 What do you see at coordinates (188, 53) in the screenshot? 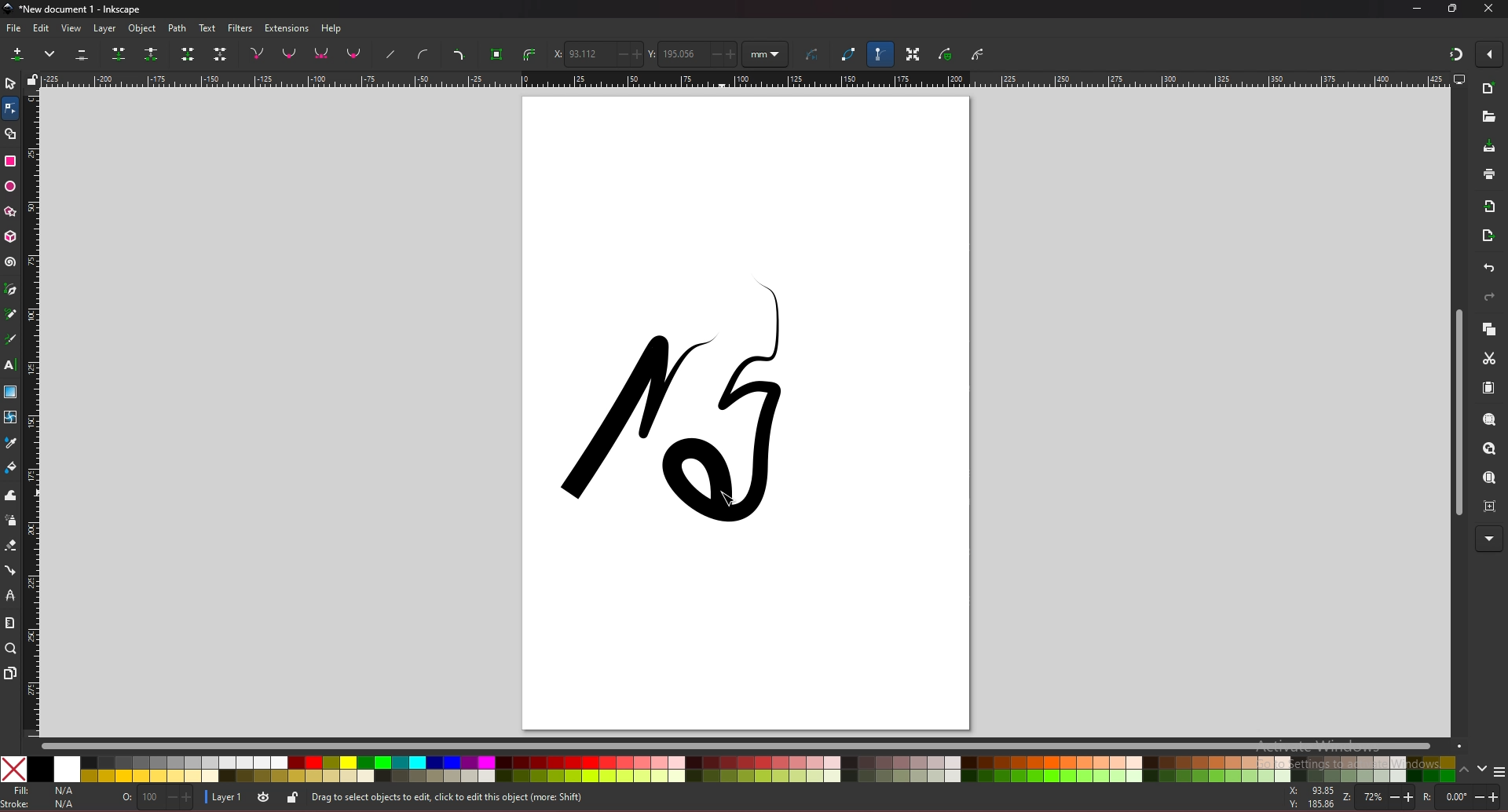
I see `join selected endnode` at bounding box center [188, 53].